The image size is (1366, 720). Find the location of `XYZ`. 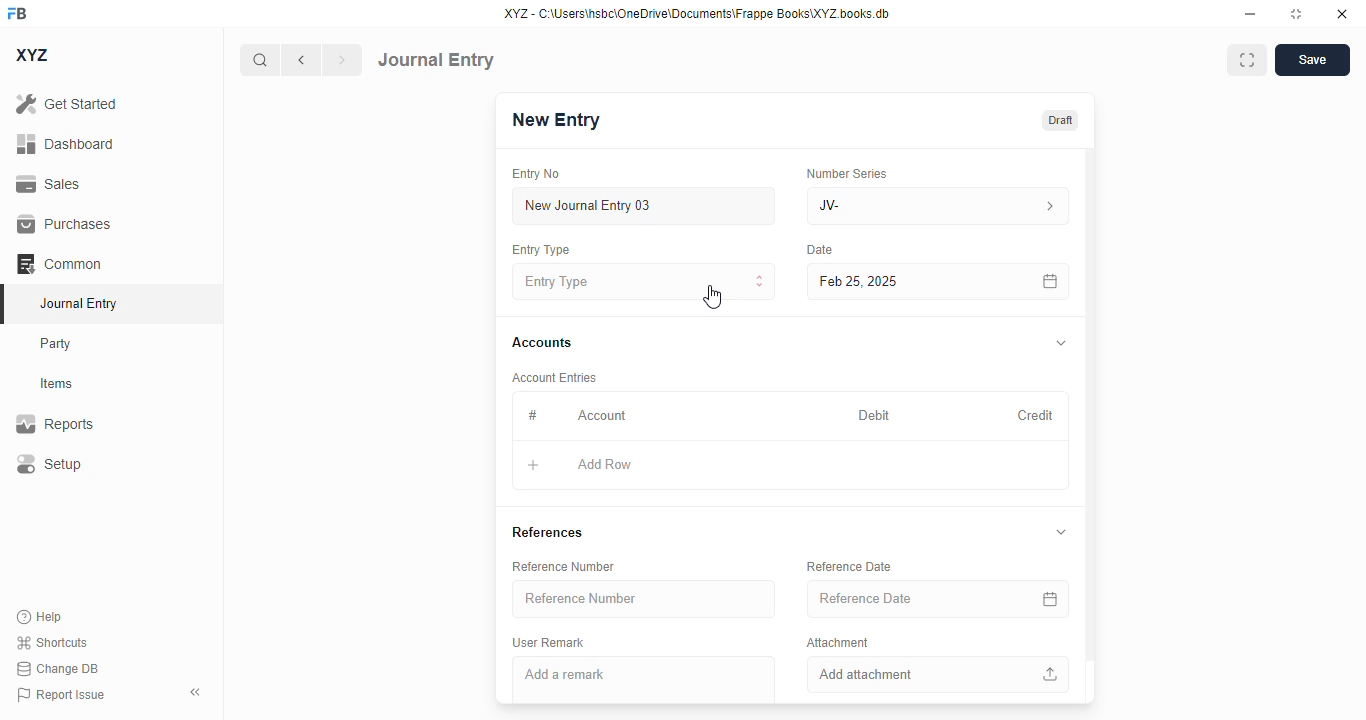

XYZ is located at coordinates (33, 55).